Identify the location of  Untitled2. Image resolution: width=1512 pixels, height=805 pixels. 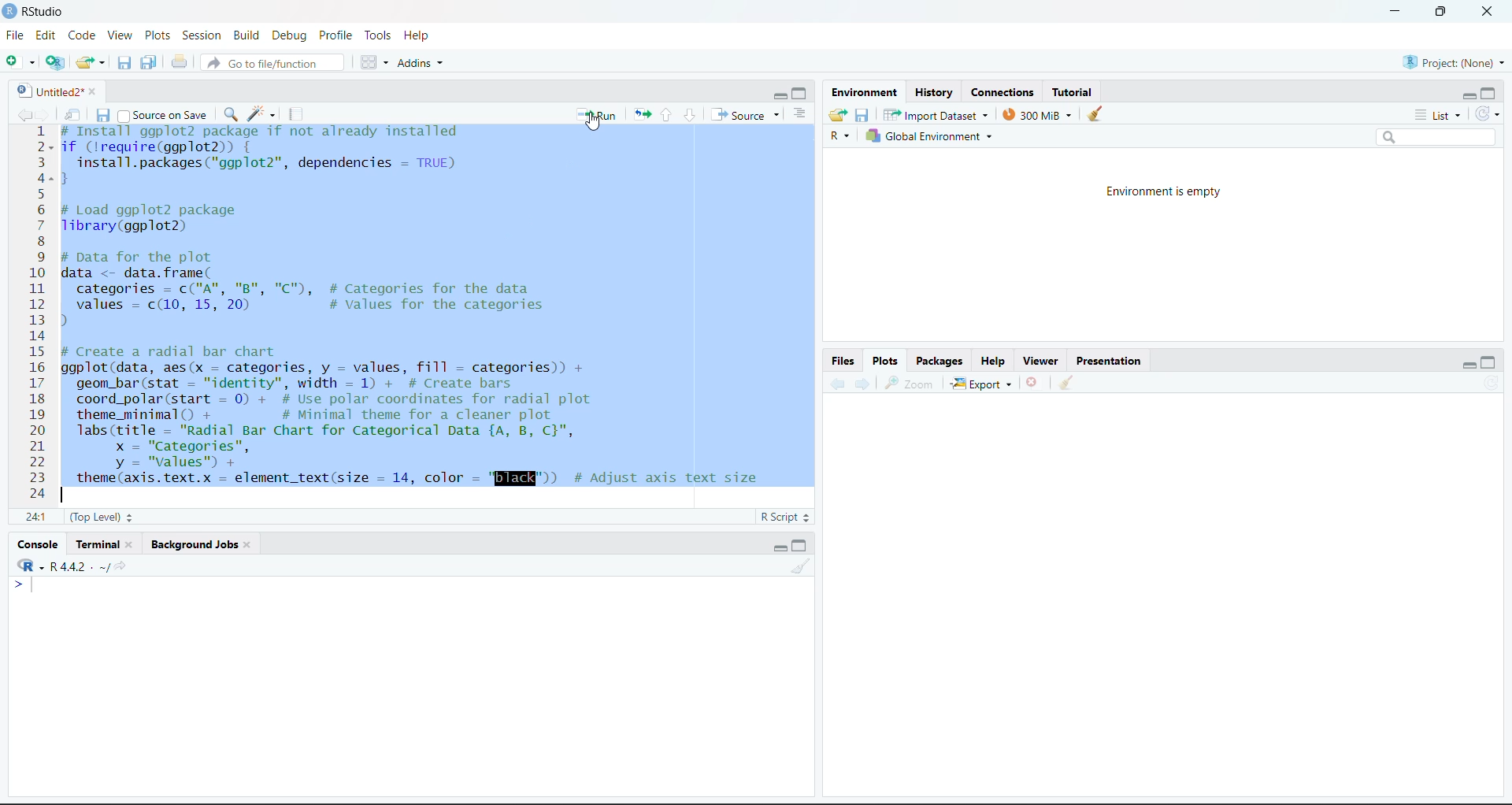
(54, 91).